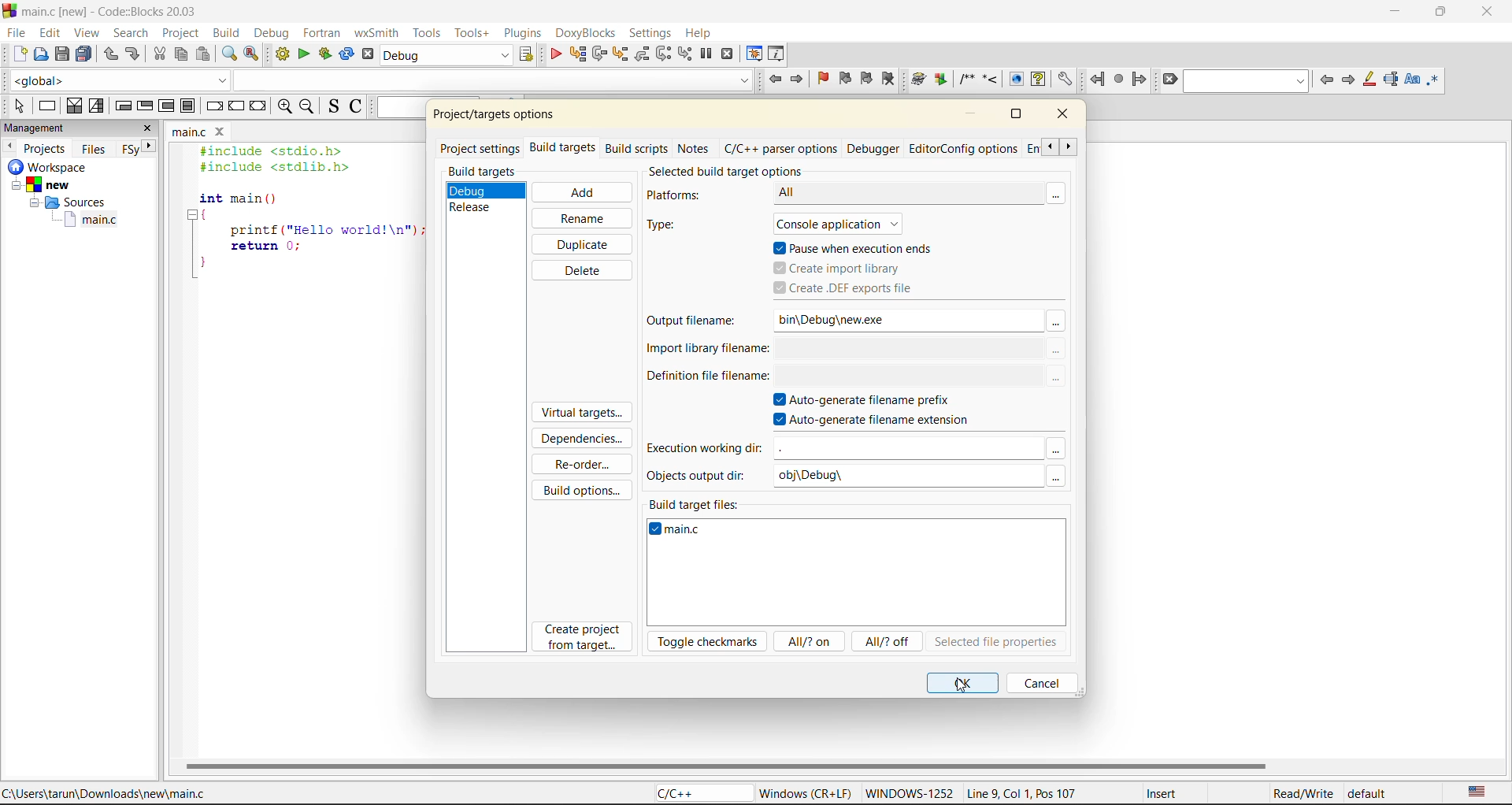 The height and width of the screenshot is (805, 1512). What do you see at coordinates (132, 33) in the screenshot?
I see `search` at bounding box center [132, 33].